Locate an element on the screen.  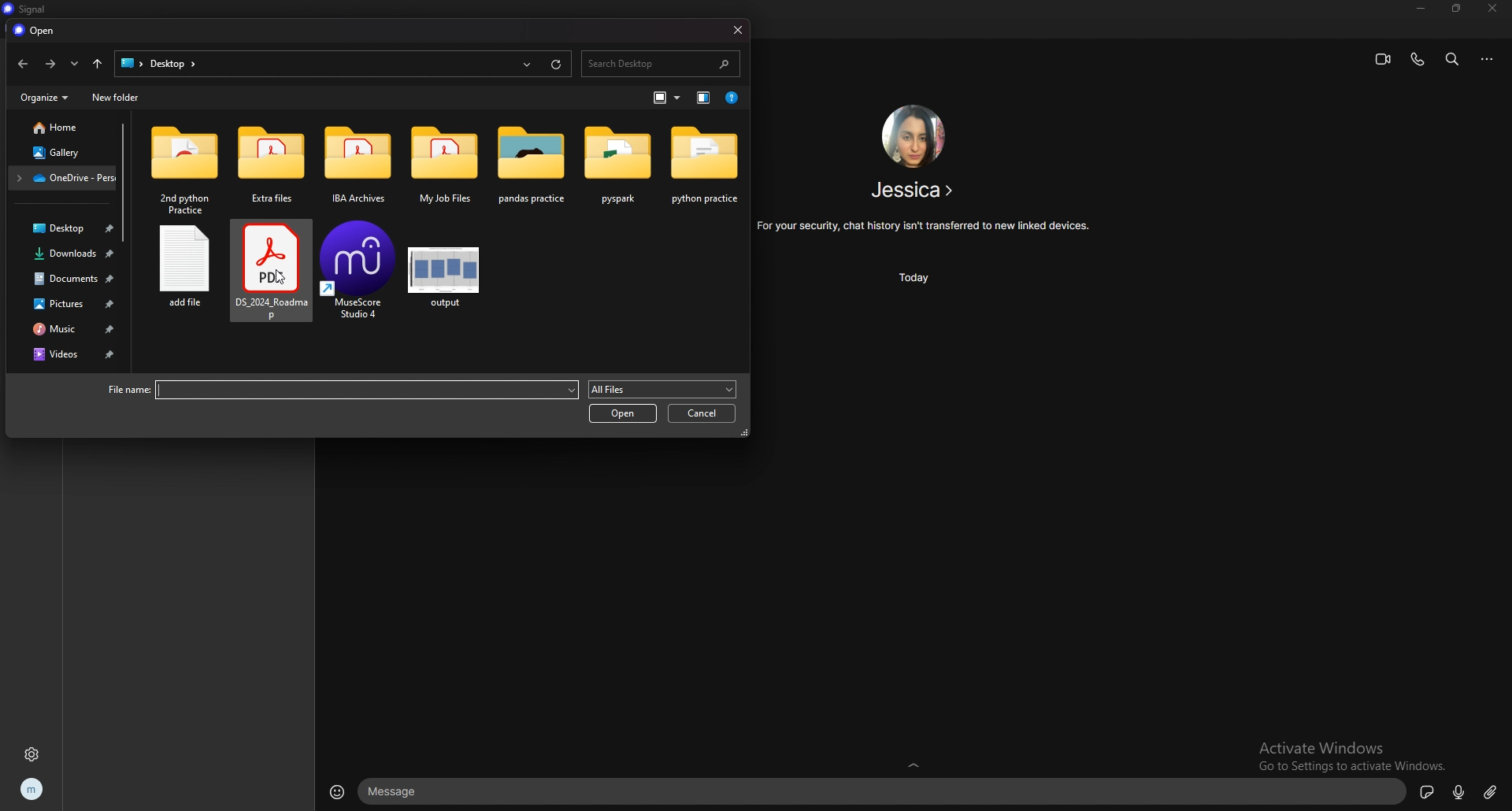
text input is located at coordinates (884, 792).